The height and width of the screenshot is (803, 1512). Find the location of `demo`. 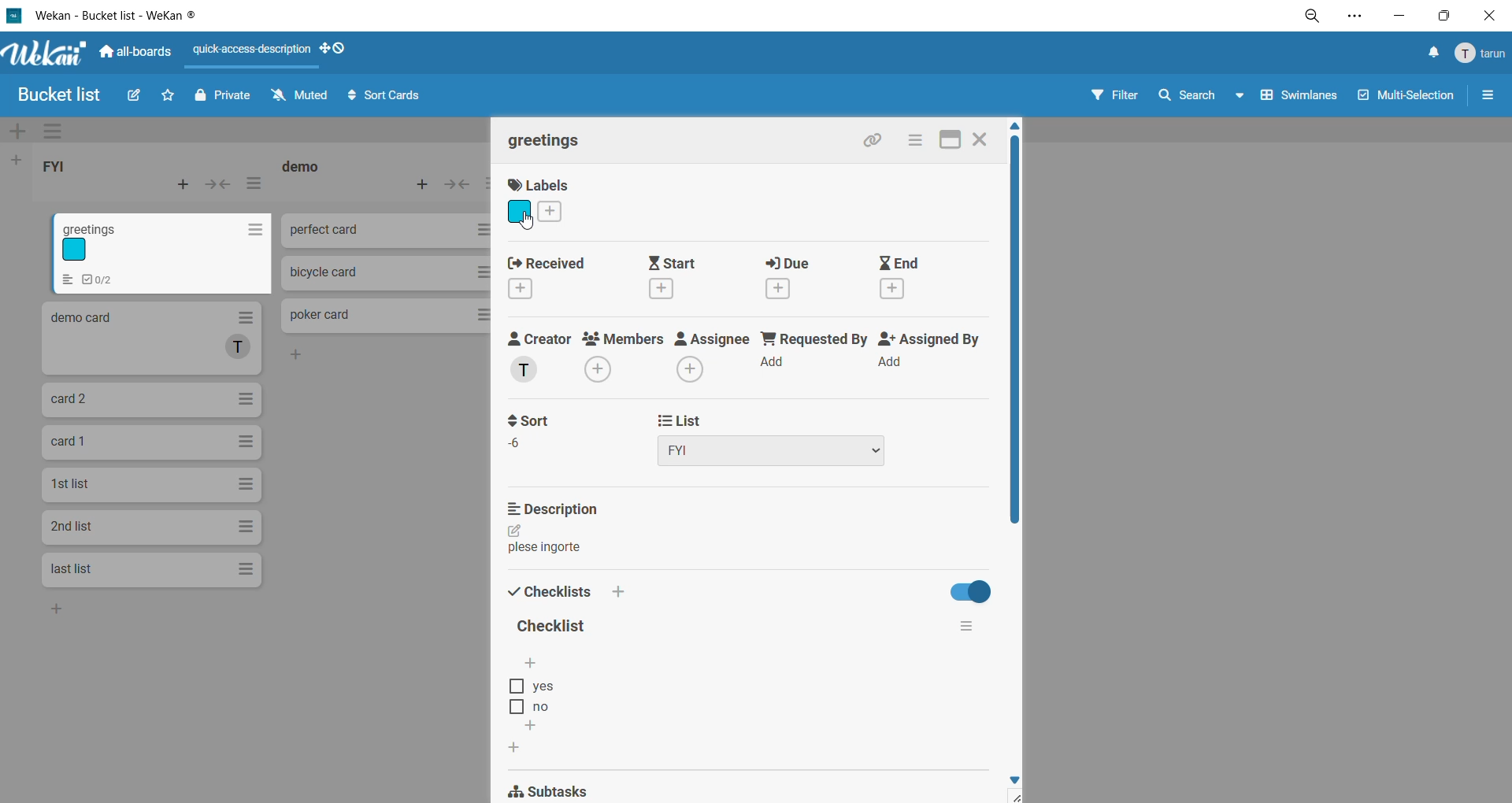

demo is located at coordinates (306, 166).